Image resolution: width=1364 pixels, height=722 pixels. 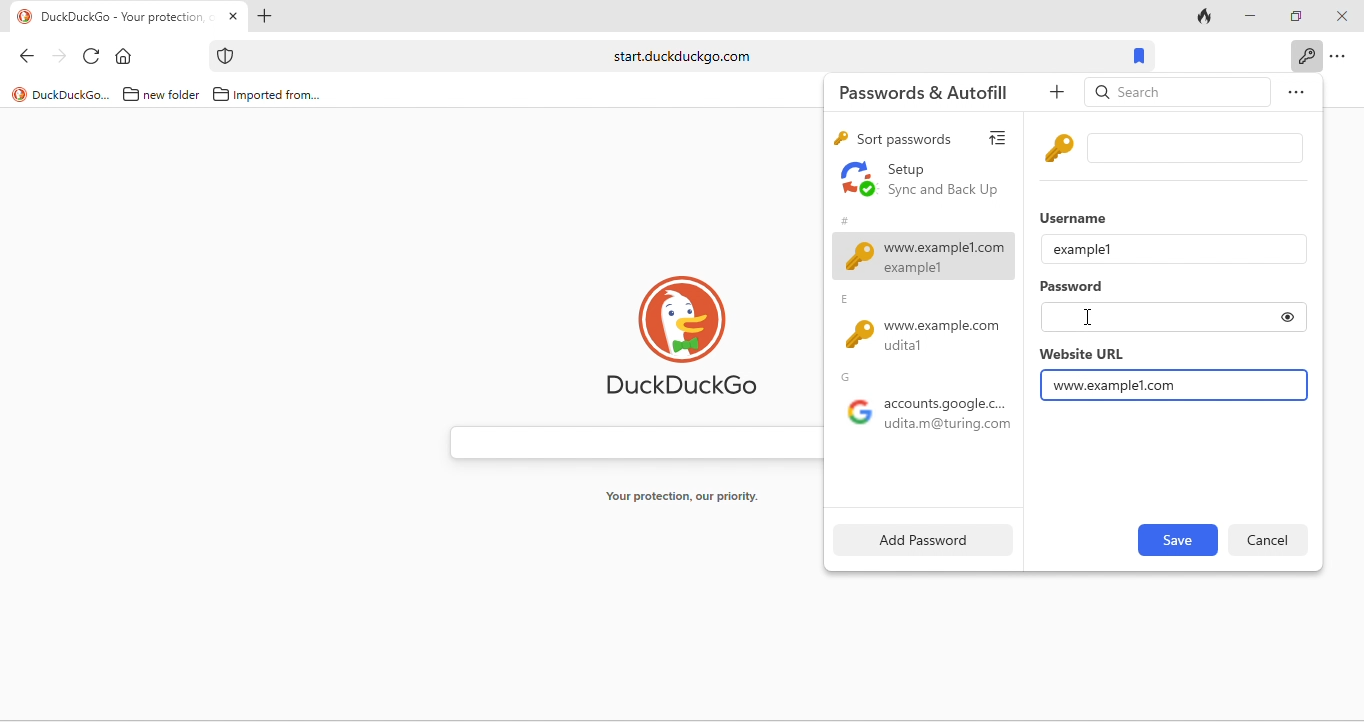 What do you see at coordinates (1141, 55) in the screenshot?
I see `bookmarks` at bounding box center [1141, 55].